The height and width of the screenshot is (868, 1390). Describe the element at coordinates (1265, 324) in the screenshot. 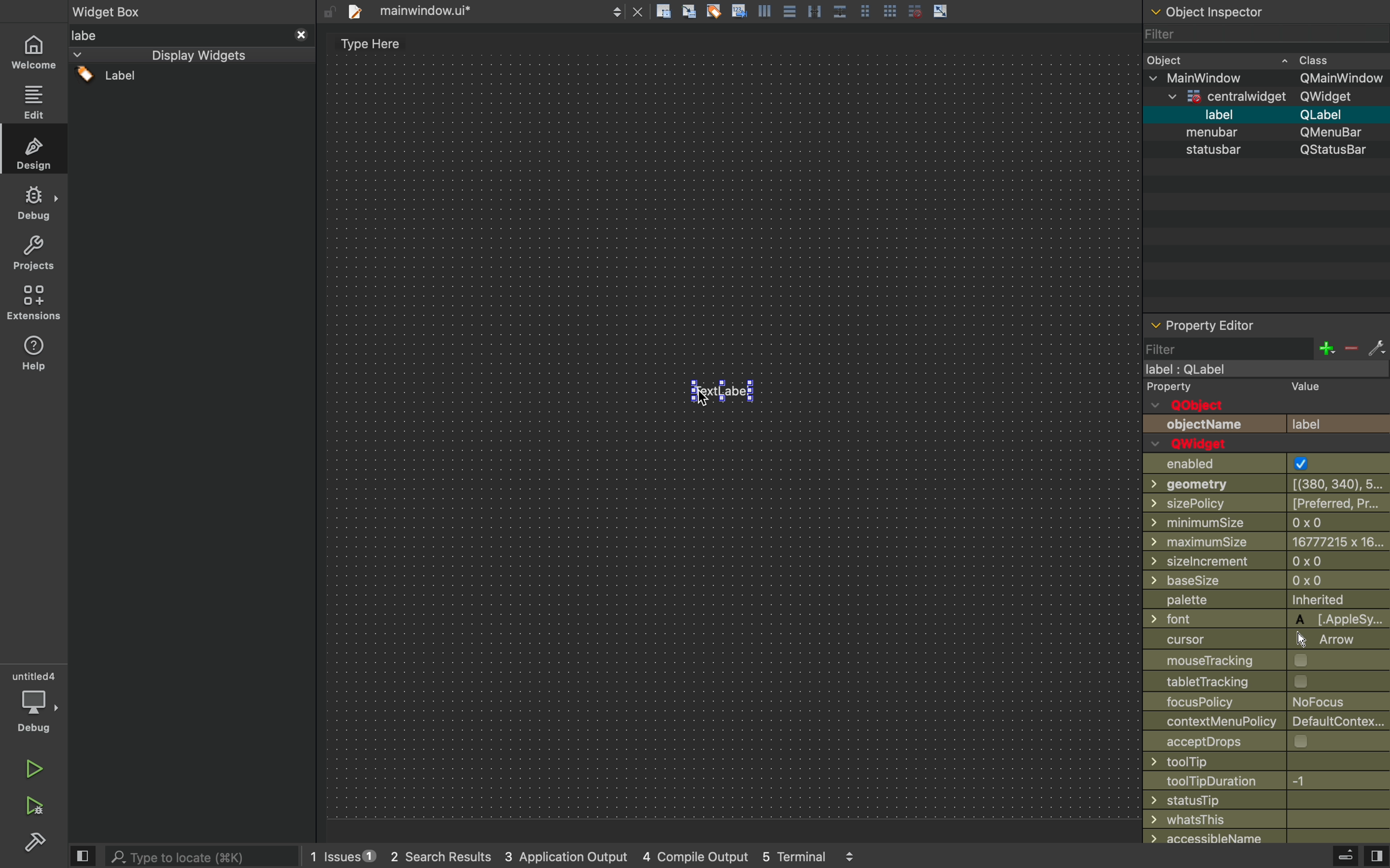

I see `properties of selected widget ` at that location.